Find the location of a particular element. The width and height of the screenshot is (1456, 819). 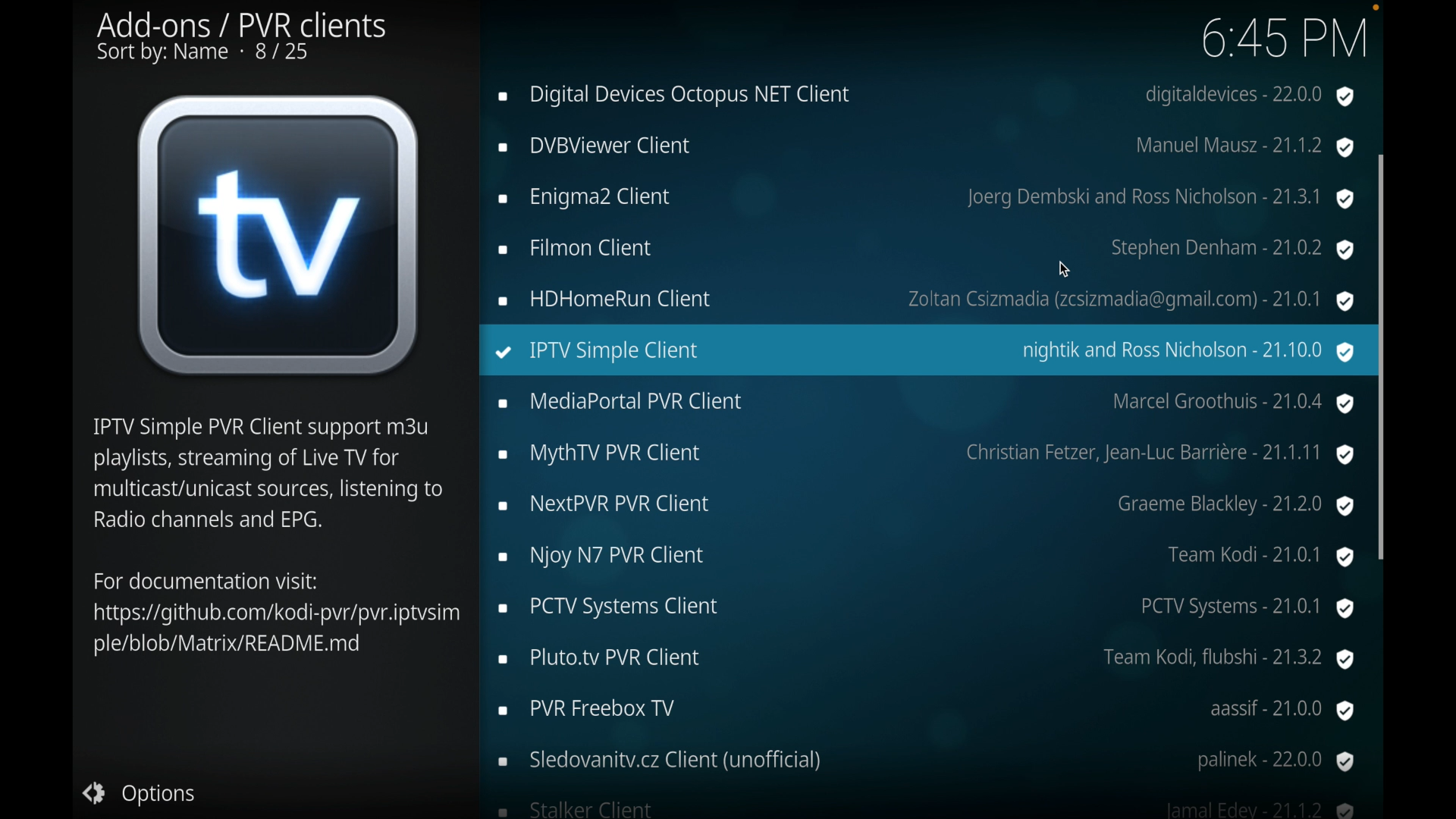

digital devices octopus net client is located at coordinates (923, 96).